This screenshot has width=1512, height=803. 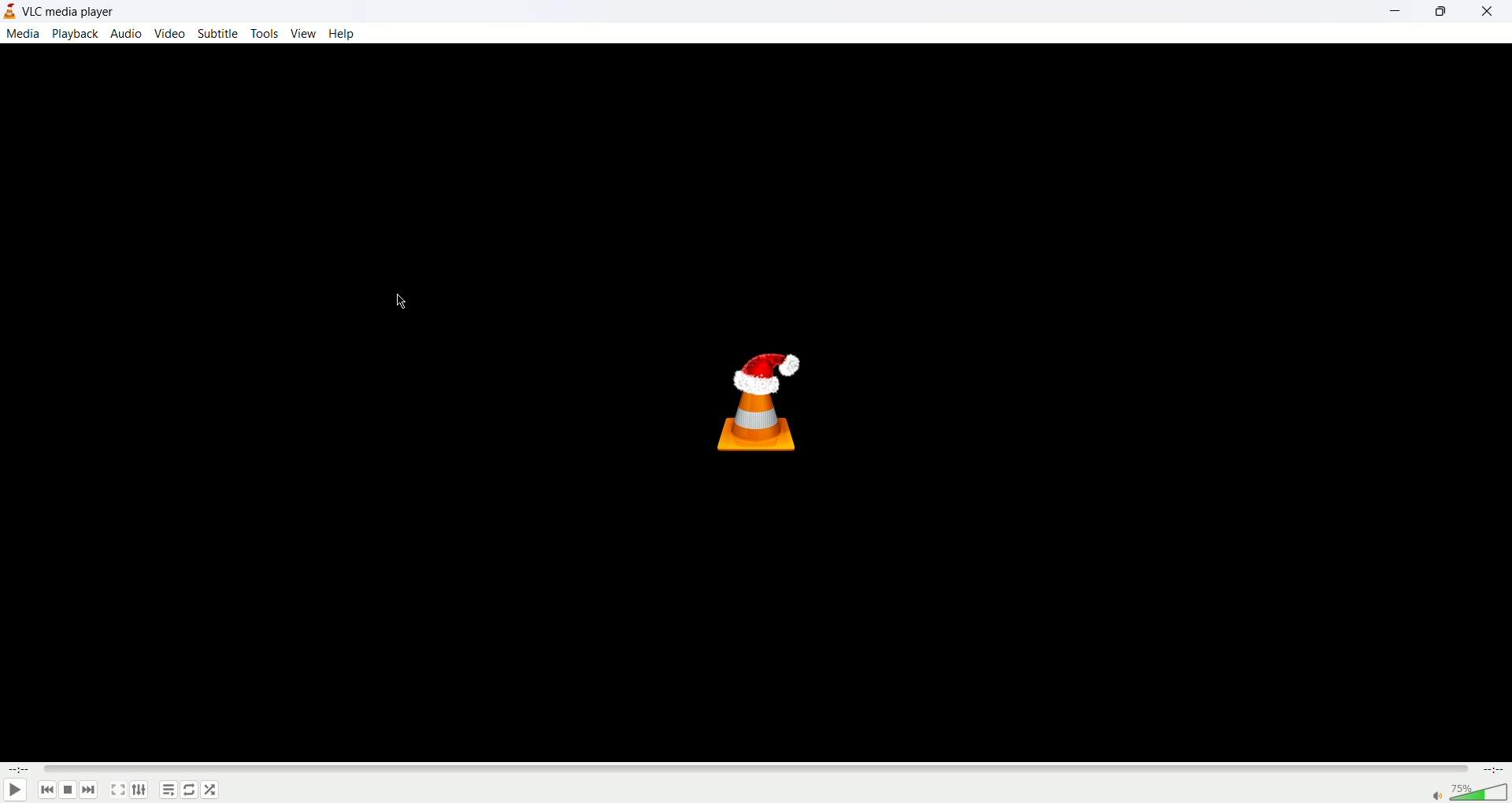 I want to click on subtitle, so click(x=217, y=33).